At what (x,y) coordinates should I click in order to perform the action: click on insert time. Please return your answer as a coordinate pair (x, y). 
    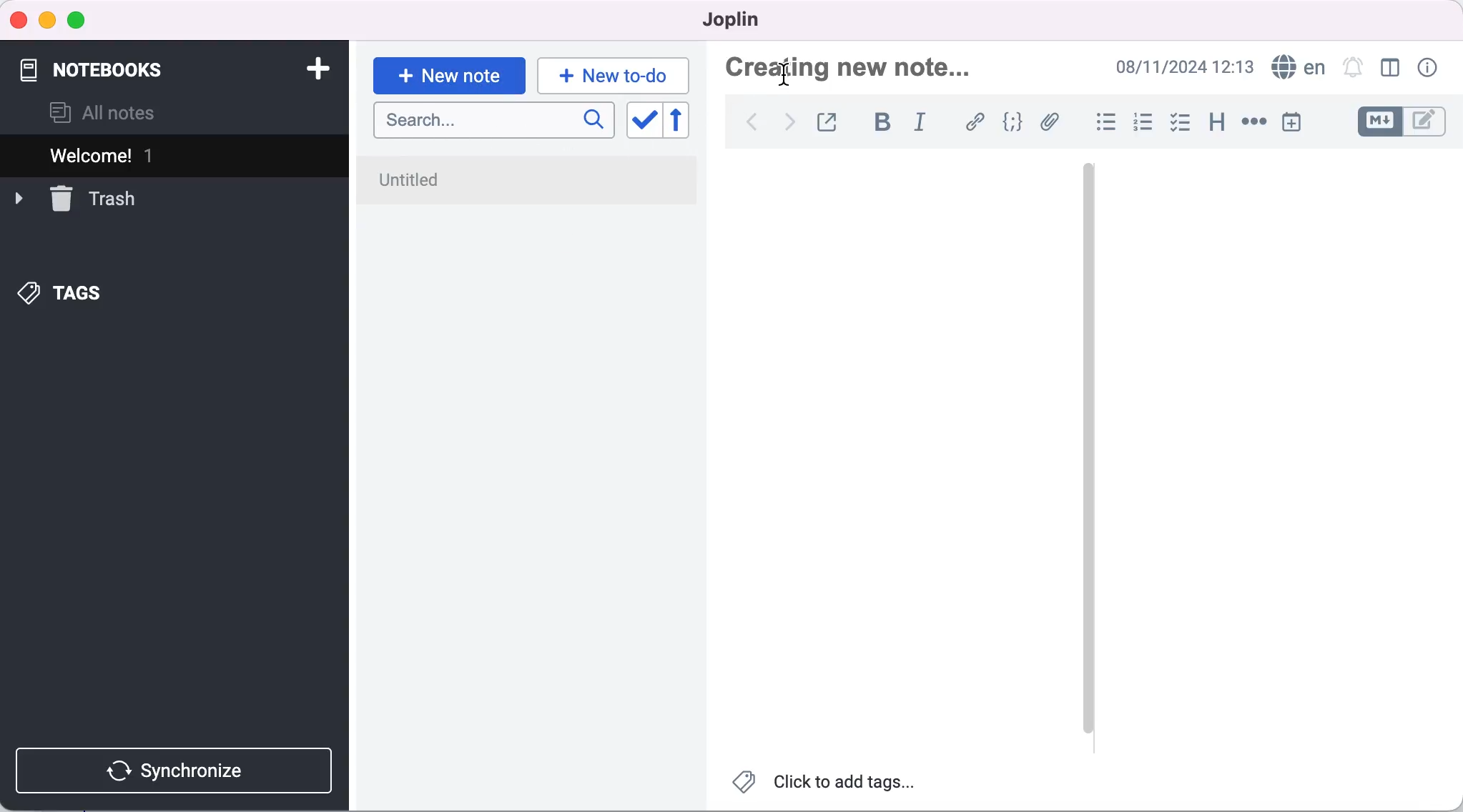
    Looking at the image, I should click on (1291, 122).